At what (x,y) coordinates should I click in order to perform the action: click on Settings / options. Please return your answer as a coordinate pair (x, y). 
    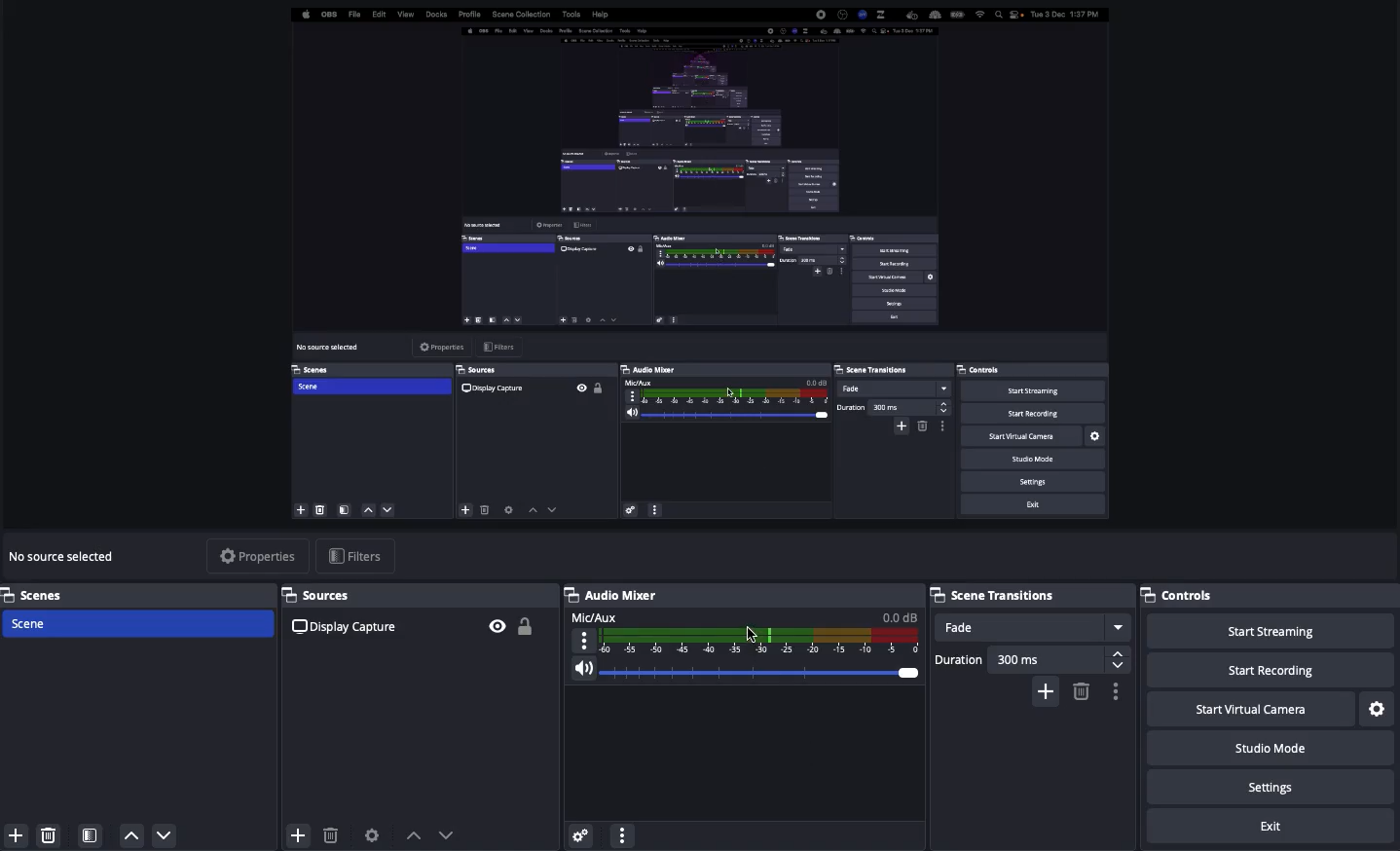
    Looking at the image, I should click on (1117, 692).